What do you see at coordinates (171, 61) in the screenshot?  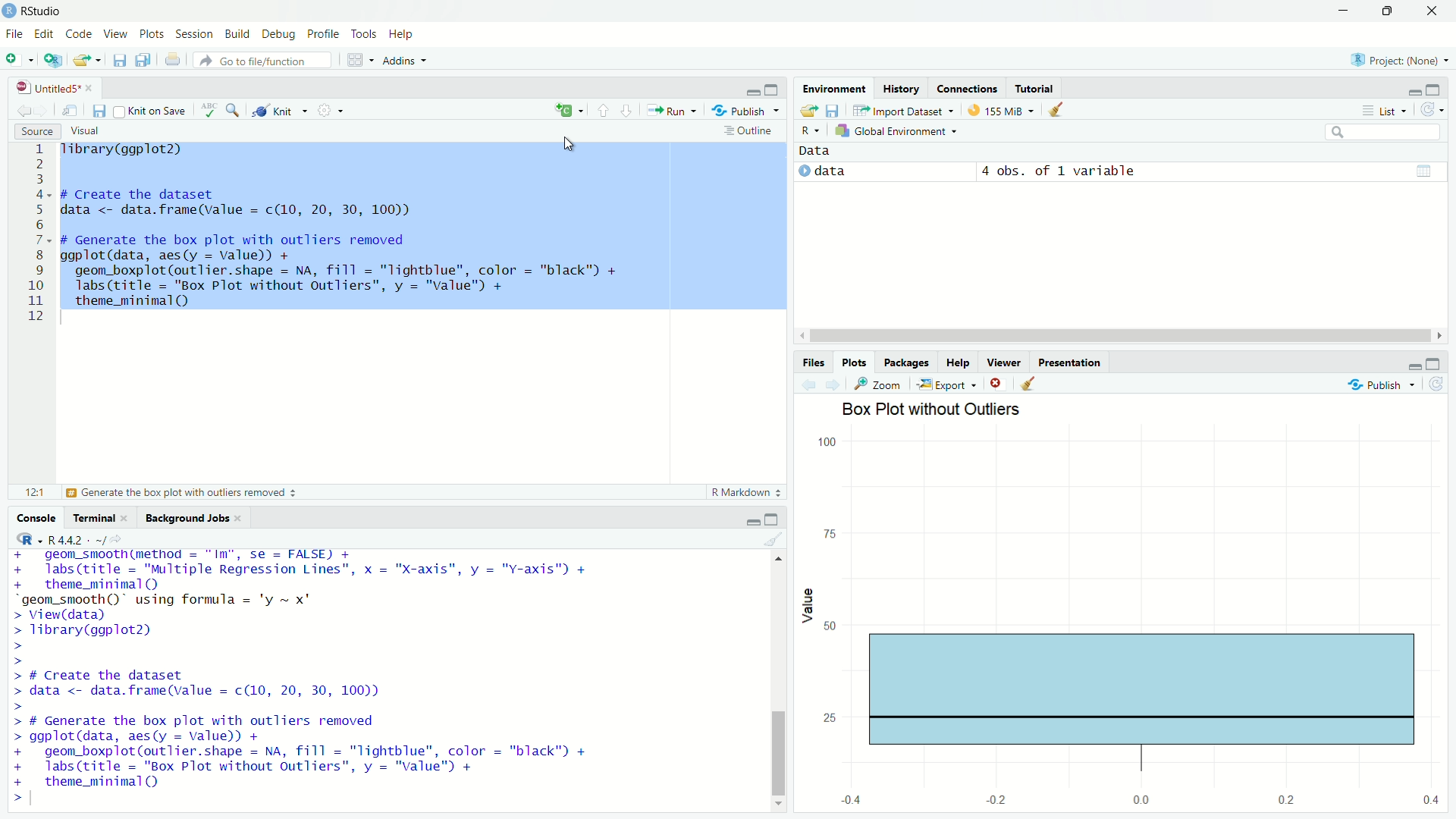 I see `print` at bounding box center [171, 61].